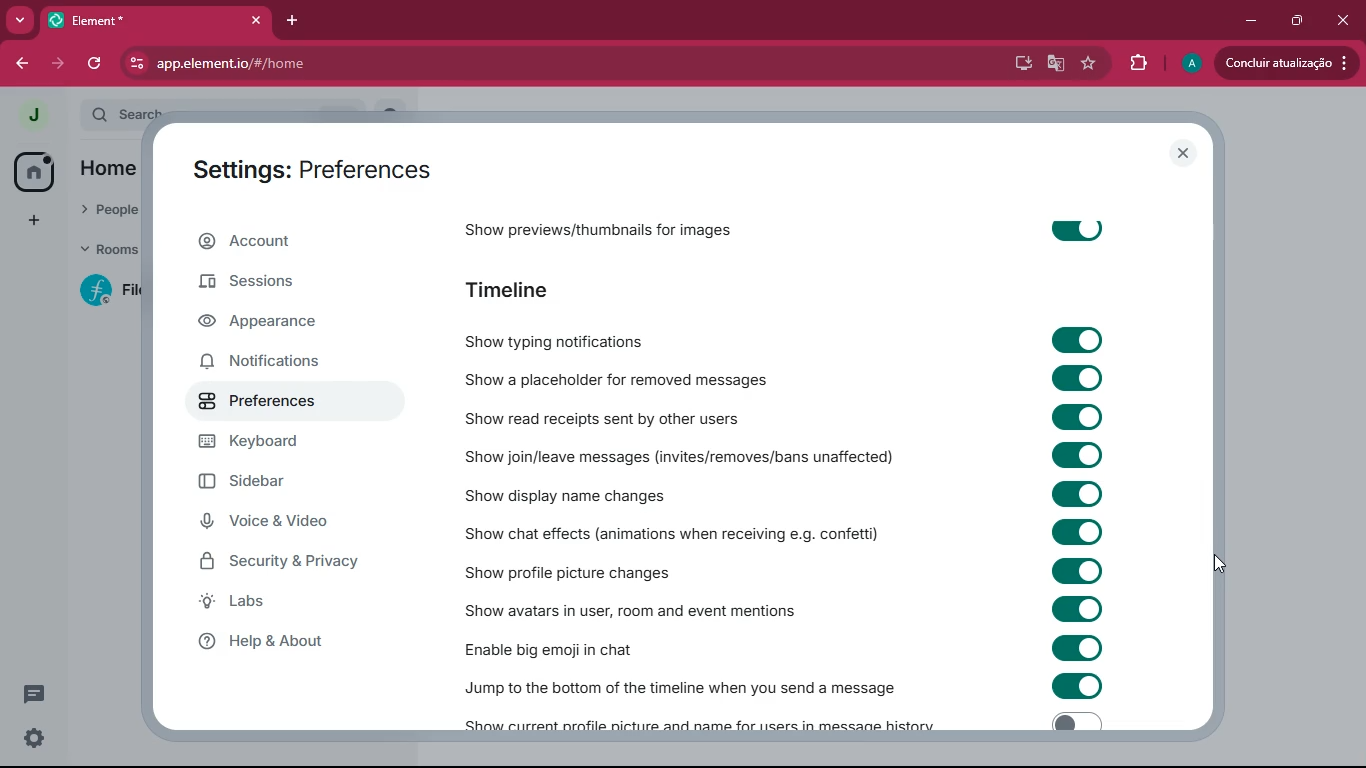 This screenshot has width=1366, height=768. I want to click on voice, so click(293, 526).